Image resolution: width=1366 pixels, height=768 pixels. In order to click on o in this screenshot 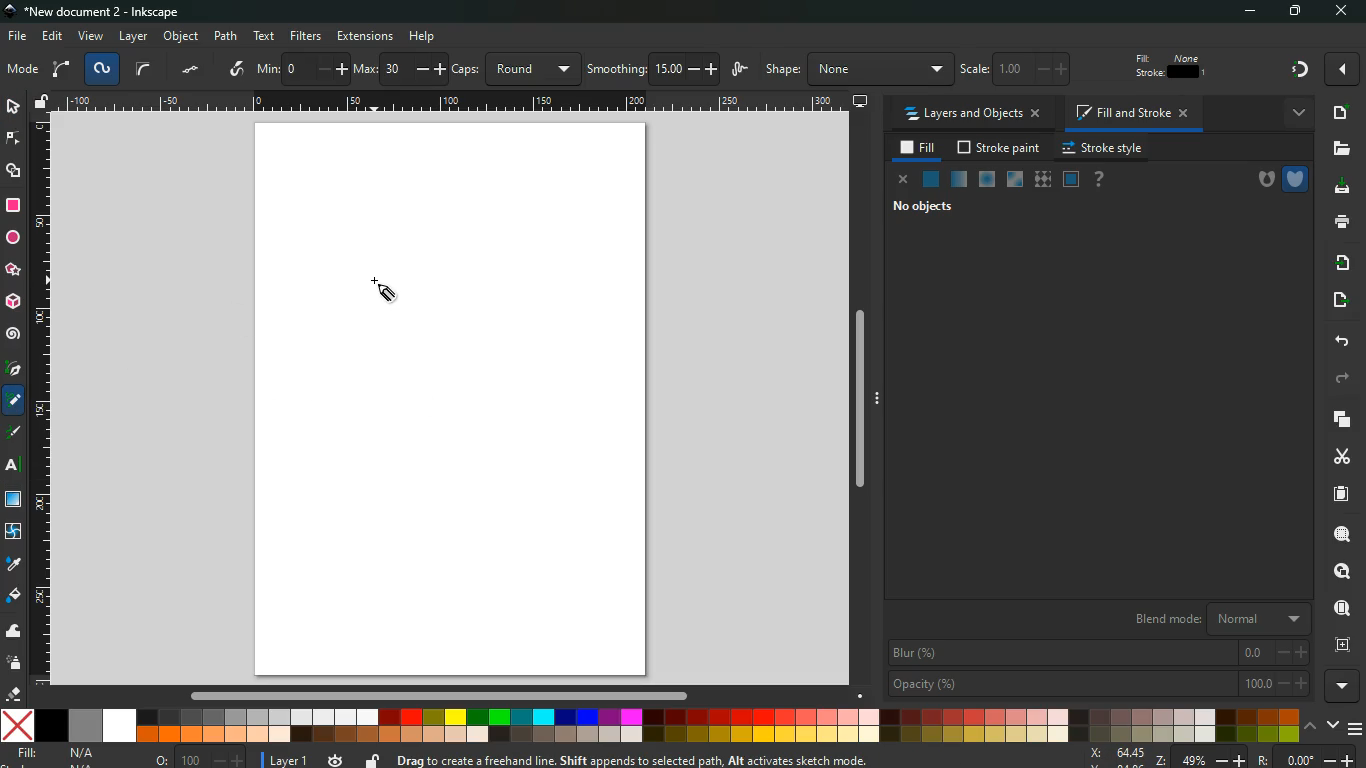, I will do `click(201, 757)`.